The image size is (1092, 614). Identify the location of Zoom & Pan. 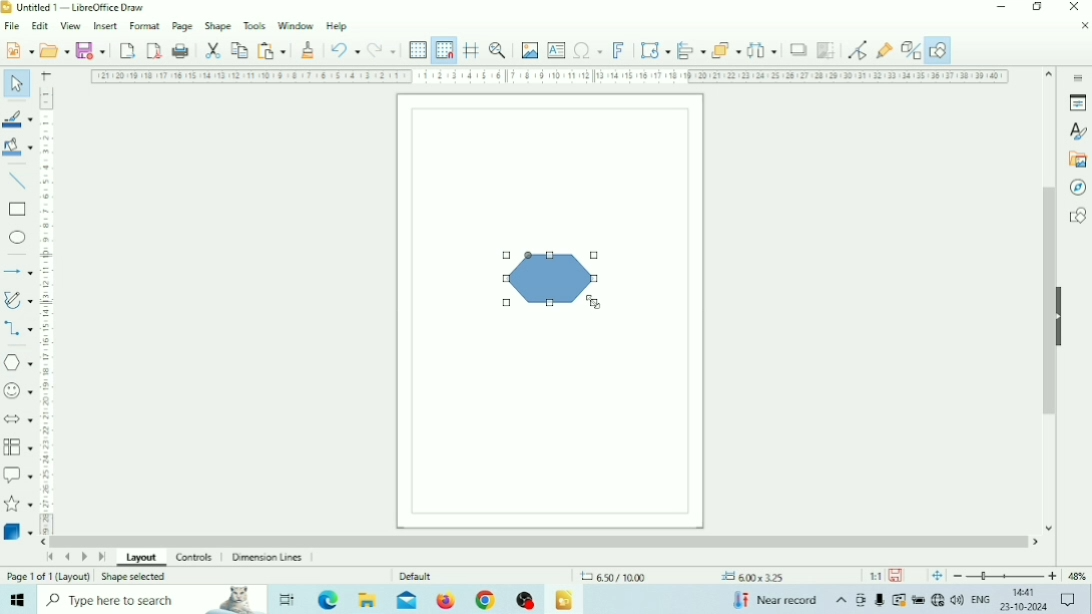
(498, 49).